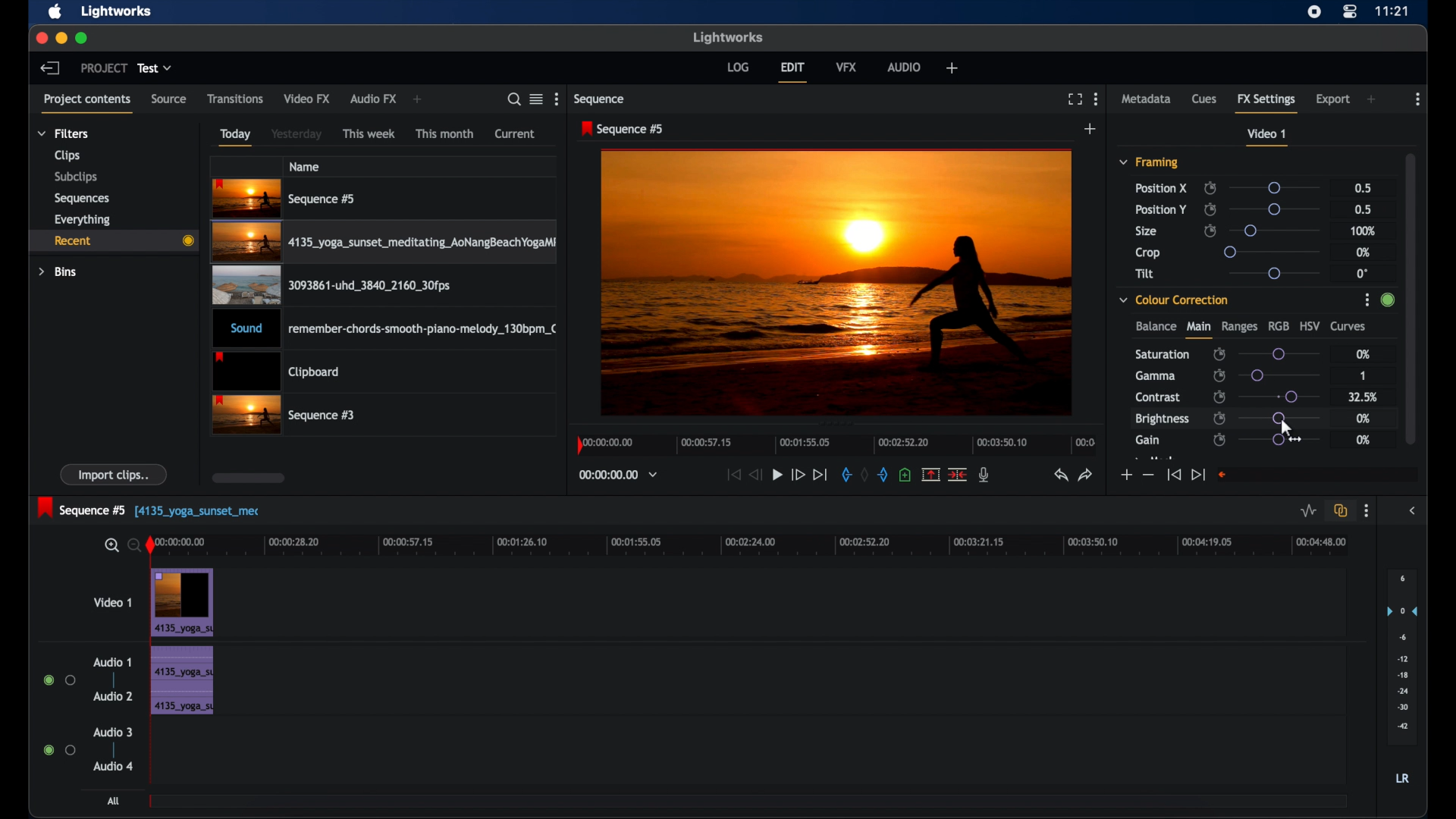  I want to click on today, so click(235, 137).